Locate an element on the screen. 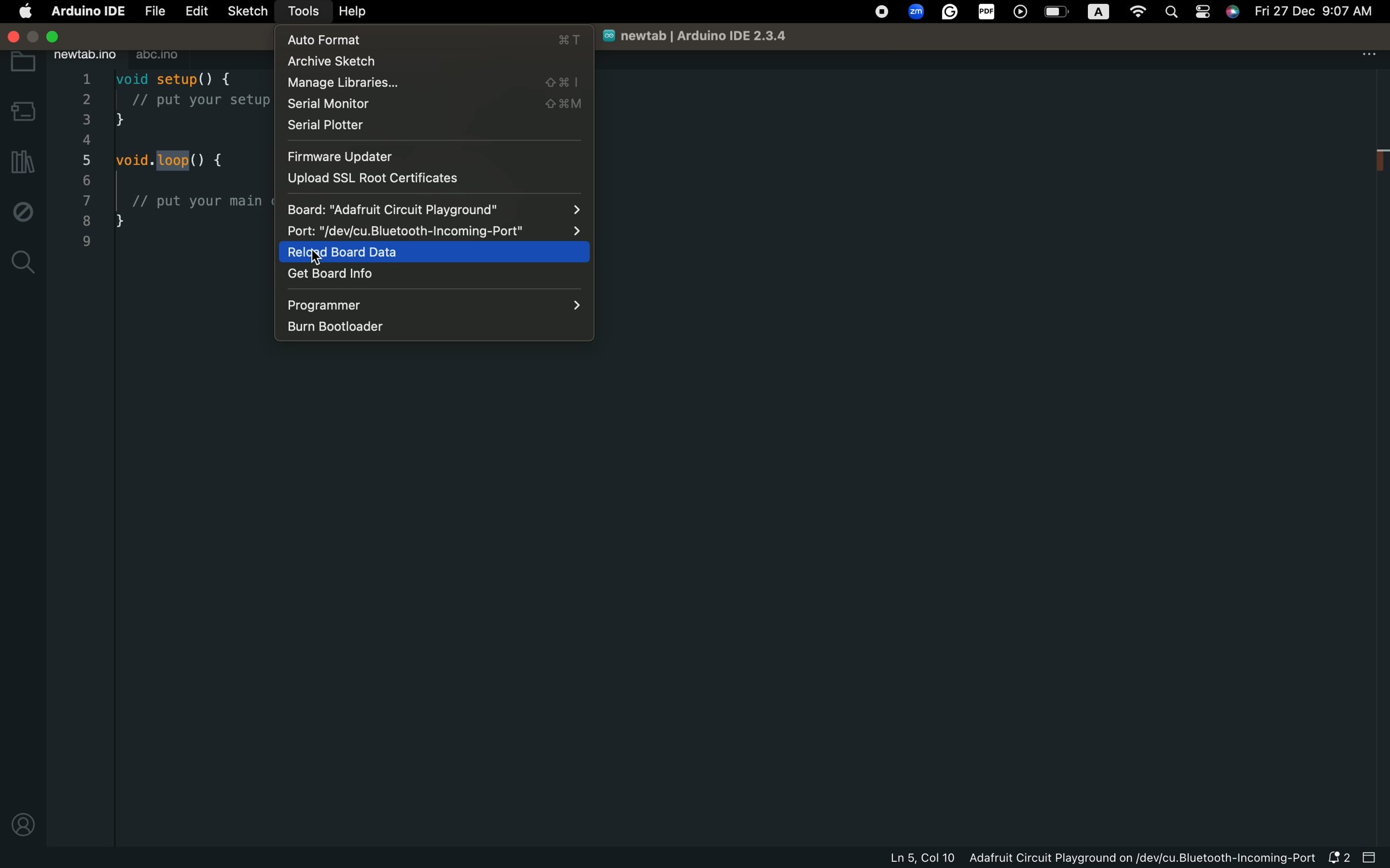  Board: "Adafruit Circuit Playground" is located at coordinates (433, 208).